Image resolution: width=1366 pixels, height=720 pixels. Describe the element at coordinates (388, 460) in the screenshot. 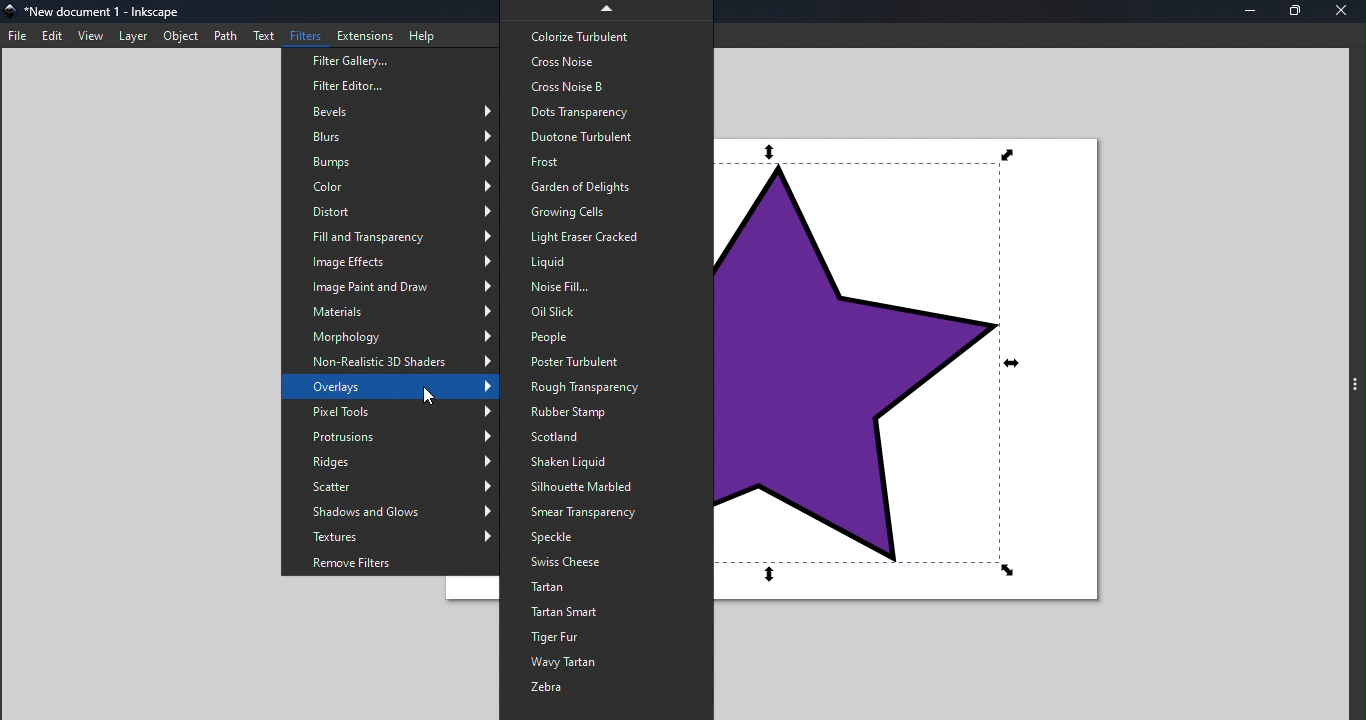

I see `Ridges` at that location.